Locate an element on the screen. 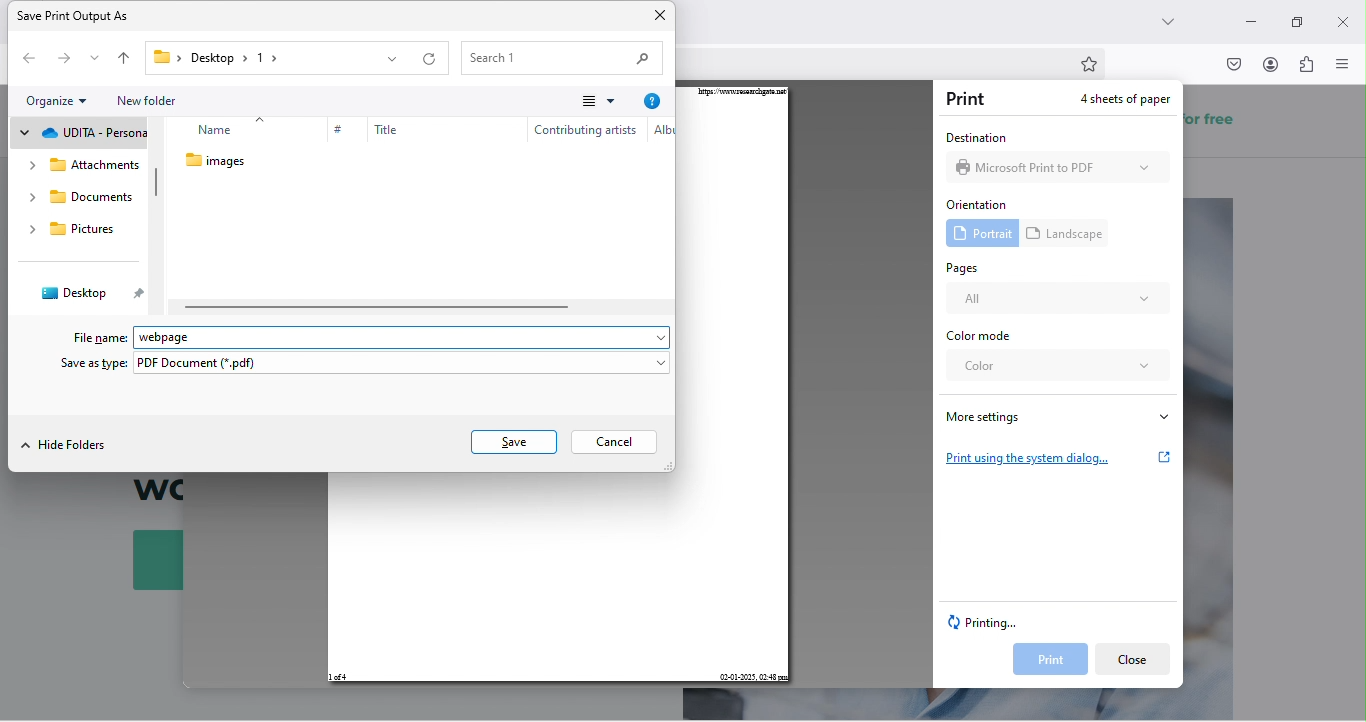 This screenshot has height=722, width=1366. 1 of 4 is located at coordinates (339, 678).